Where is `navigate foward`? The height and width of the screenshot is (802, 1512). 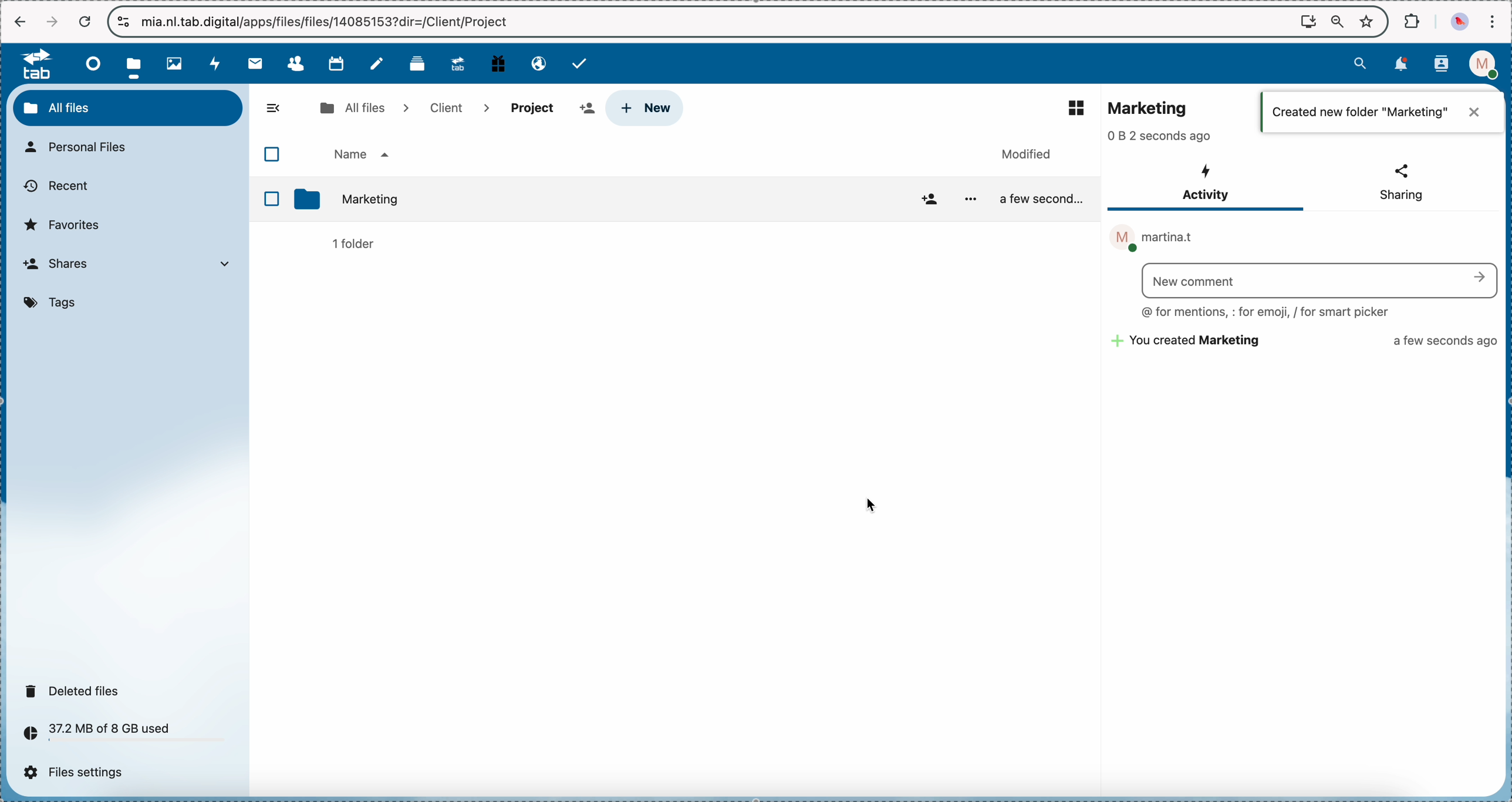
navigate foward is located at coordinates (52, 22).